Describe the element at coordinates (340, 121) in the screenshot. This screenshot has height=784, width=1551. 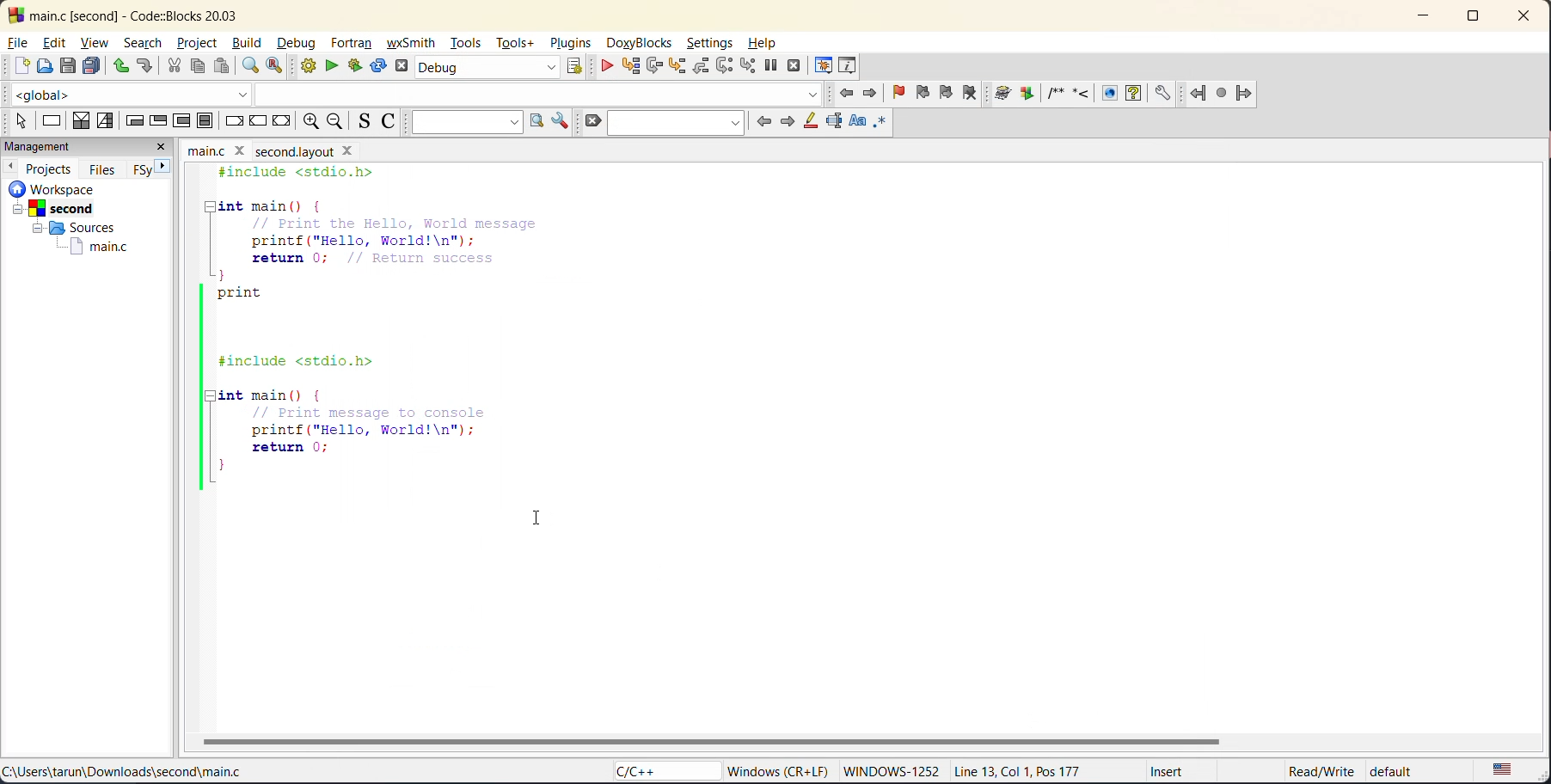
I see `zoom out` at that location.